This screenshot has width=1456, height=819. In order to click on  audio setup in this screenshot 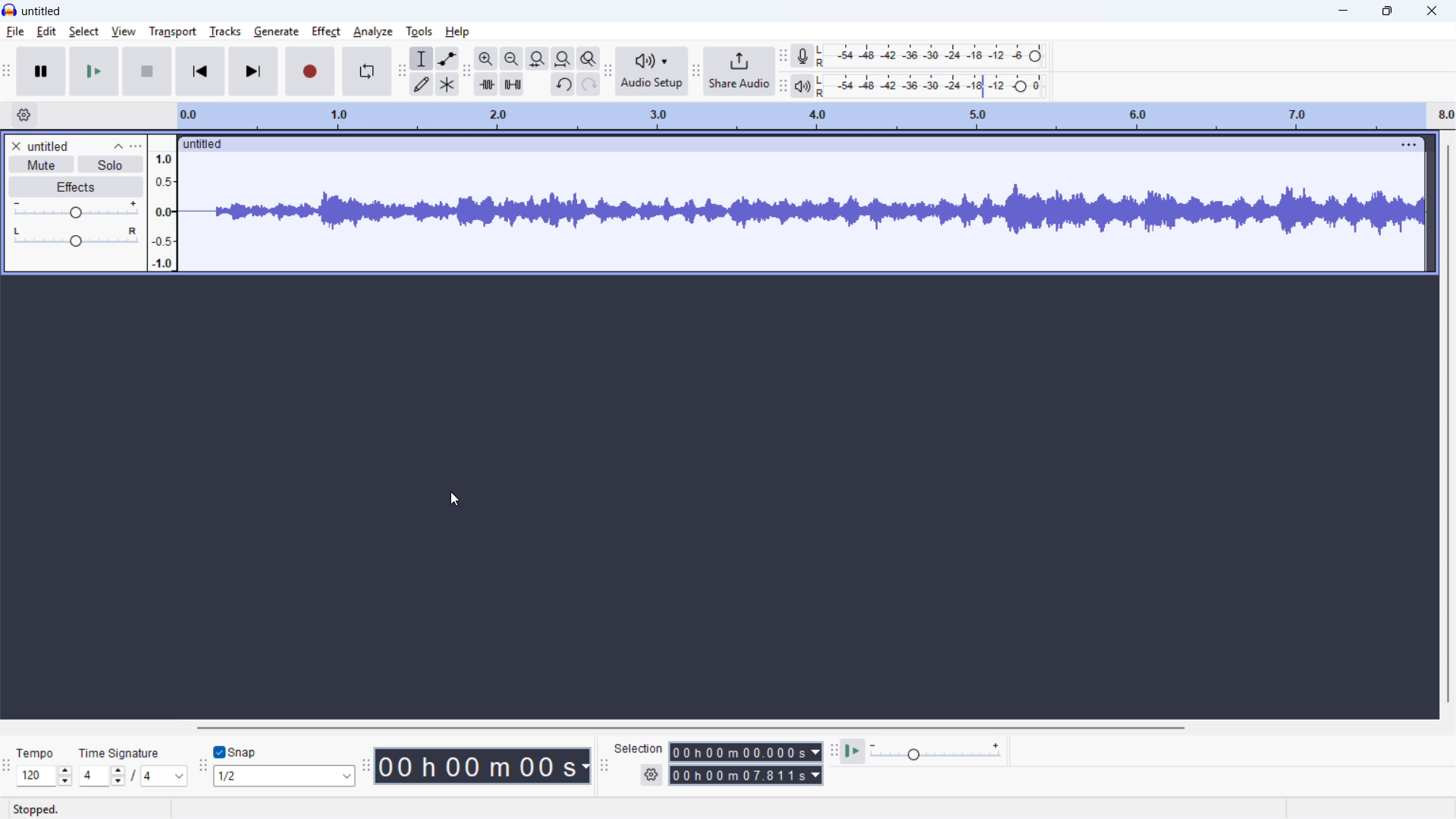, I will do `click(651, 71)`.